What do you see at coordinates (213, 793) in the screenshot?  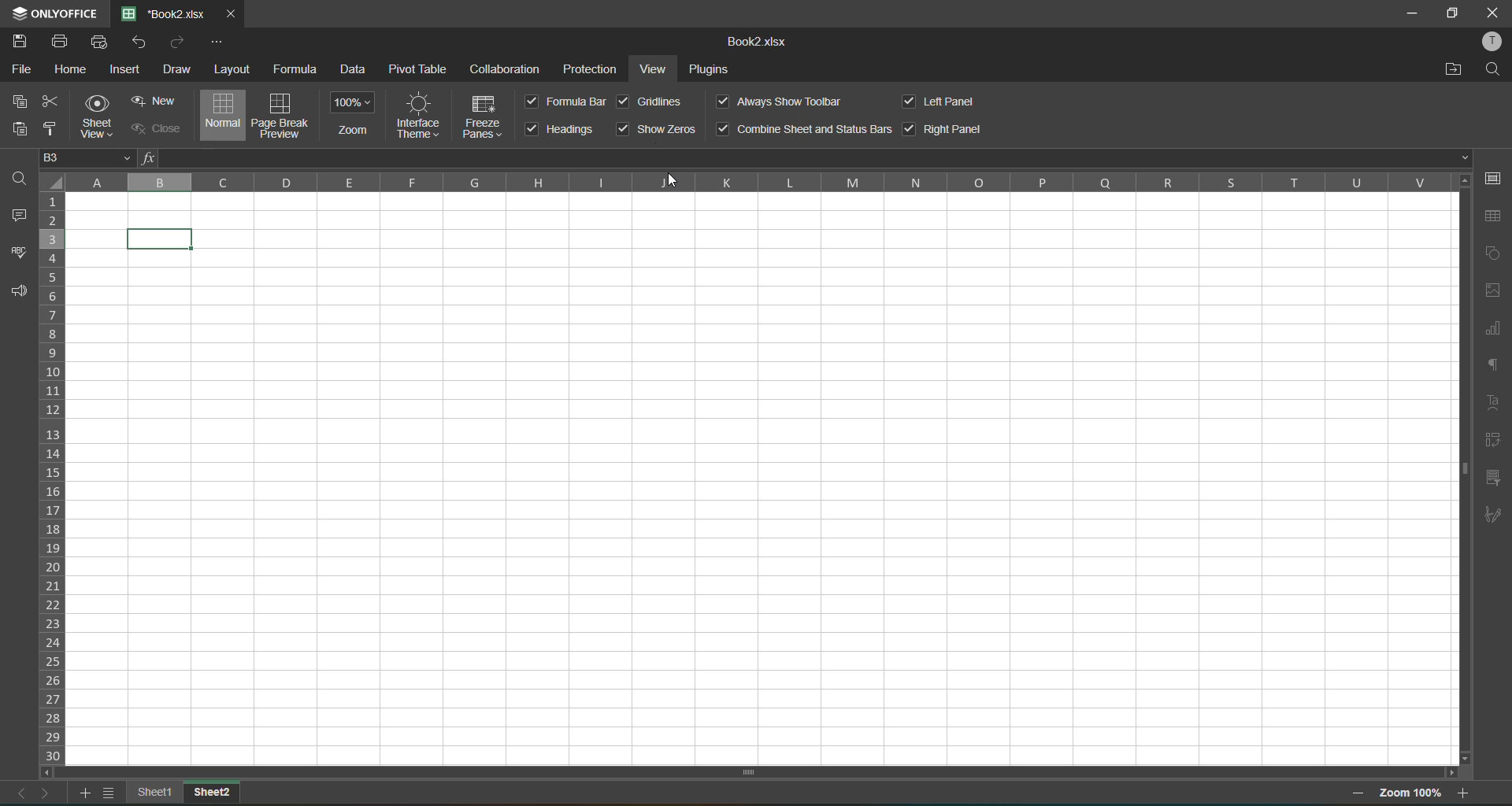 I see `sheet 2` at bounding box center [213, 793].